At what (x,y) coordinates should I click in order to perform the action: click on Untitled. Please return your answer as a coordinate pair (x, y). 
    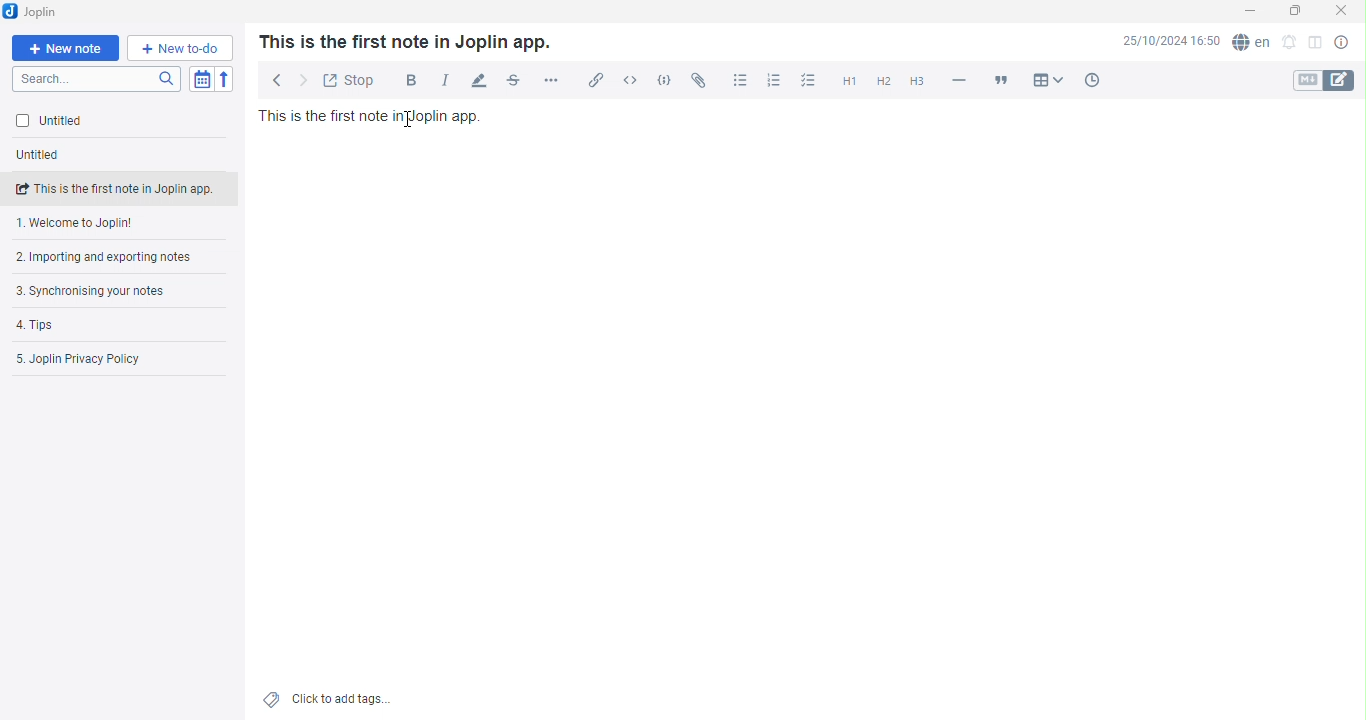
    Looking at the image, I should click on (46, 156).